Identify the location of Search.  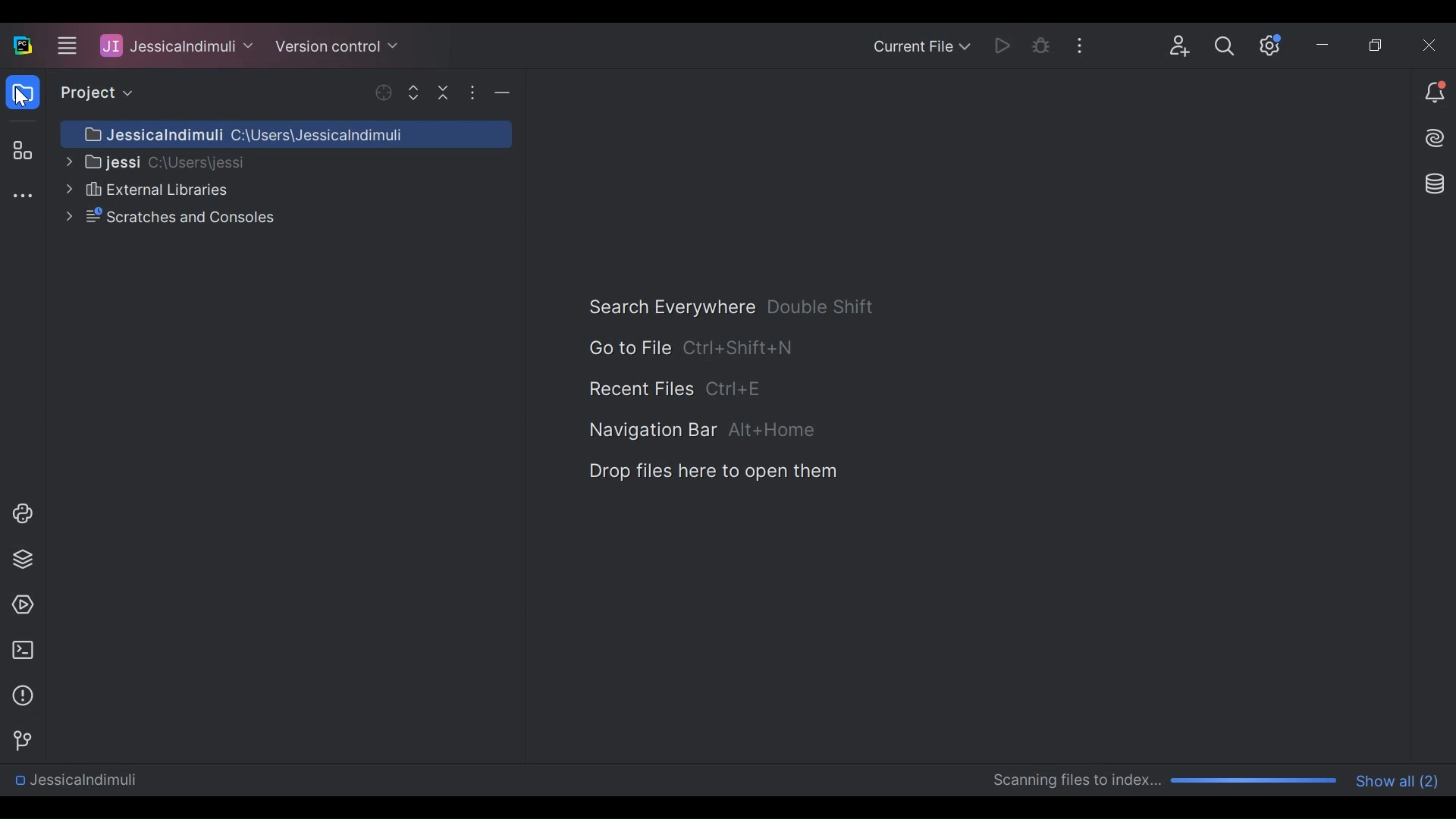
(1225, 45).